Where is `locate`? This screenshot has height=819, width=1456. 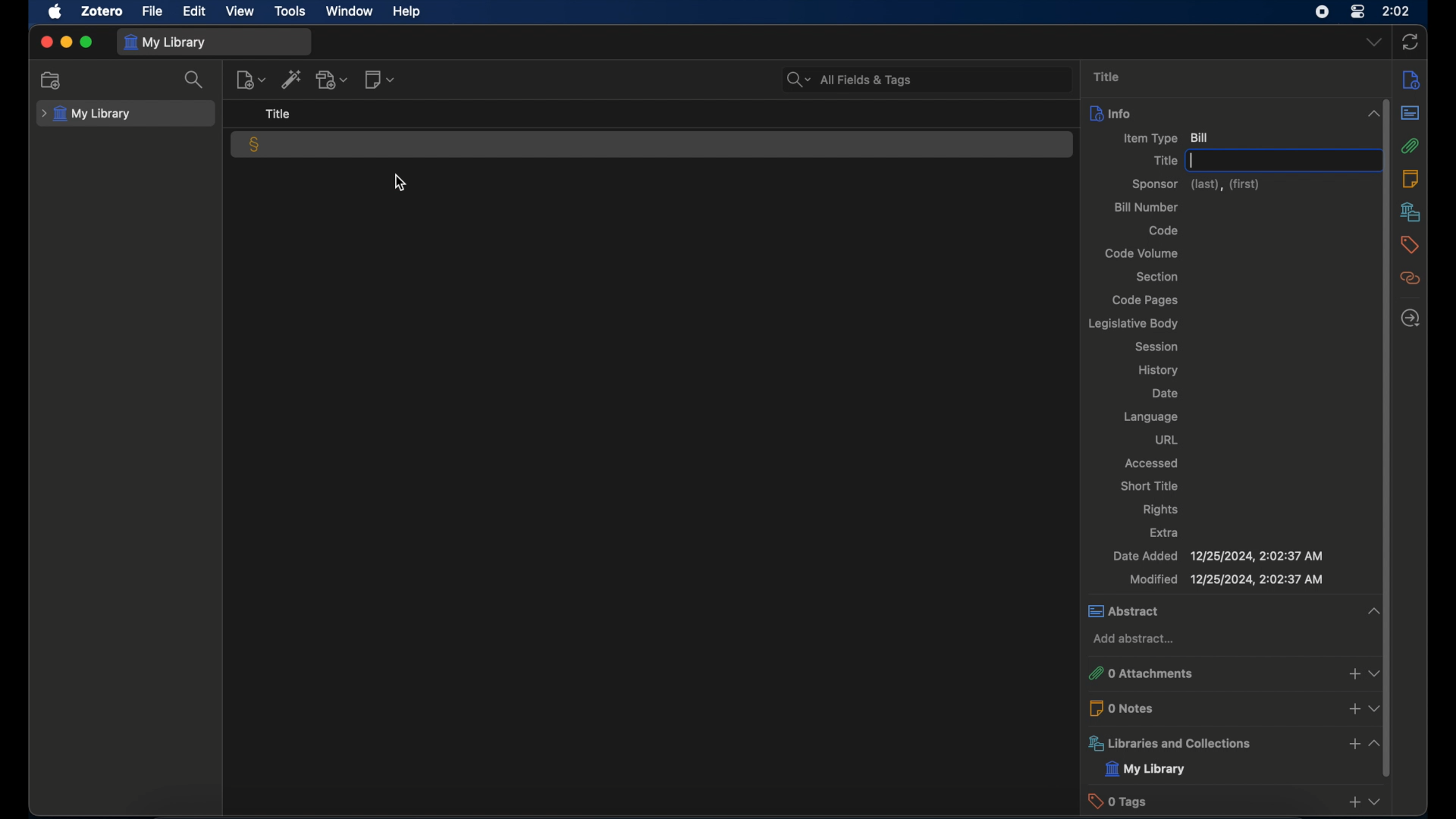 locate is located at coordinates (1412, 318).